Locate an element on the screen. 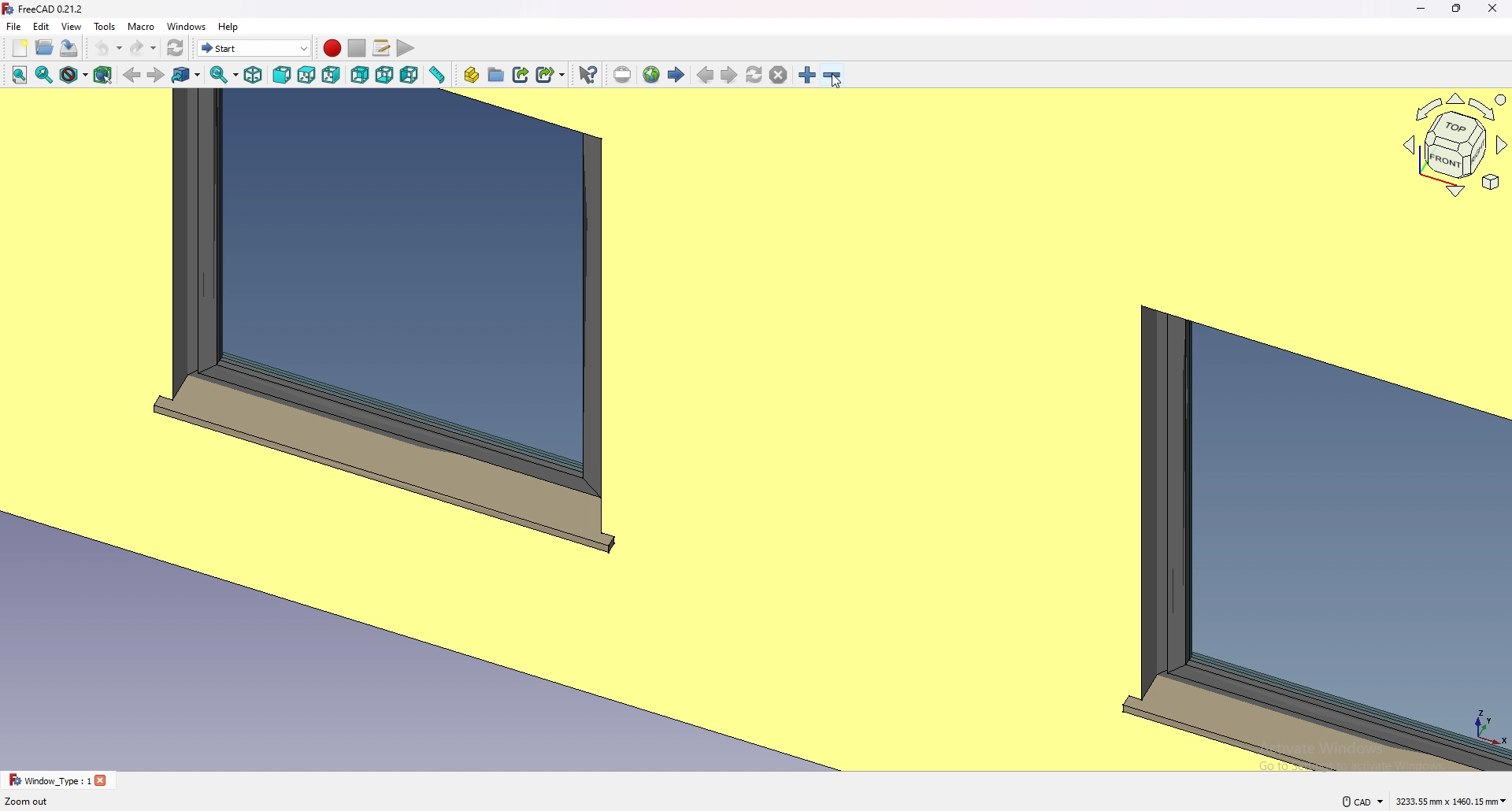 This screenshot has width=1512, height=811. redo is located at coordinates (143, 48).